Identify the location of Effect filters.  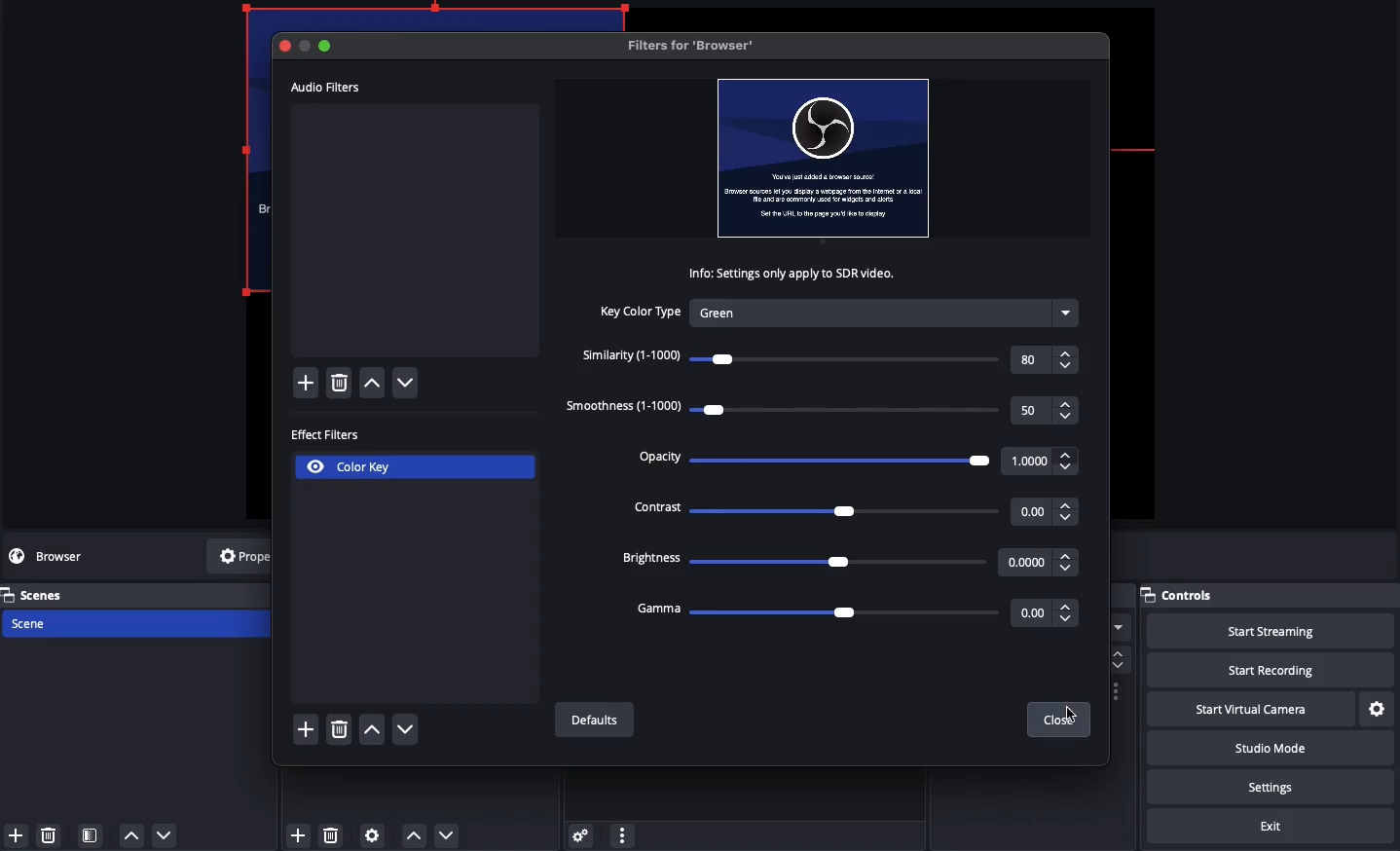
(328, 433).